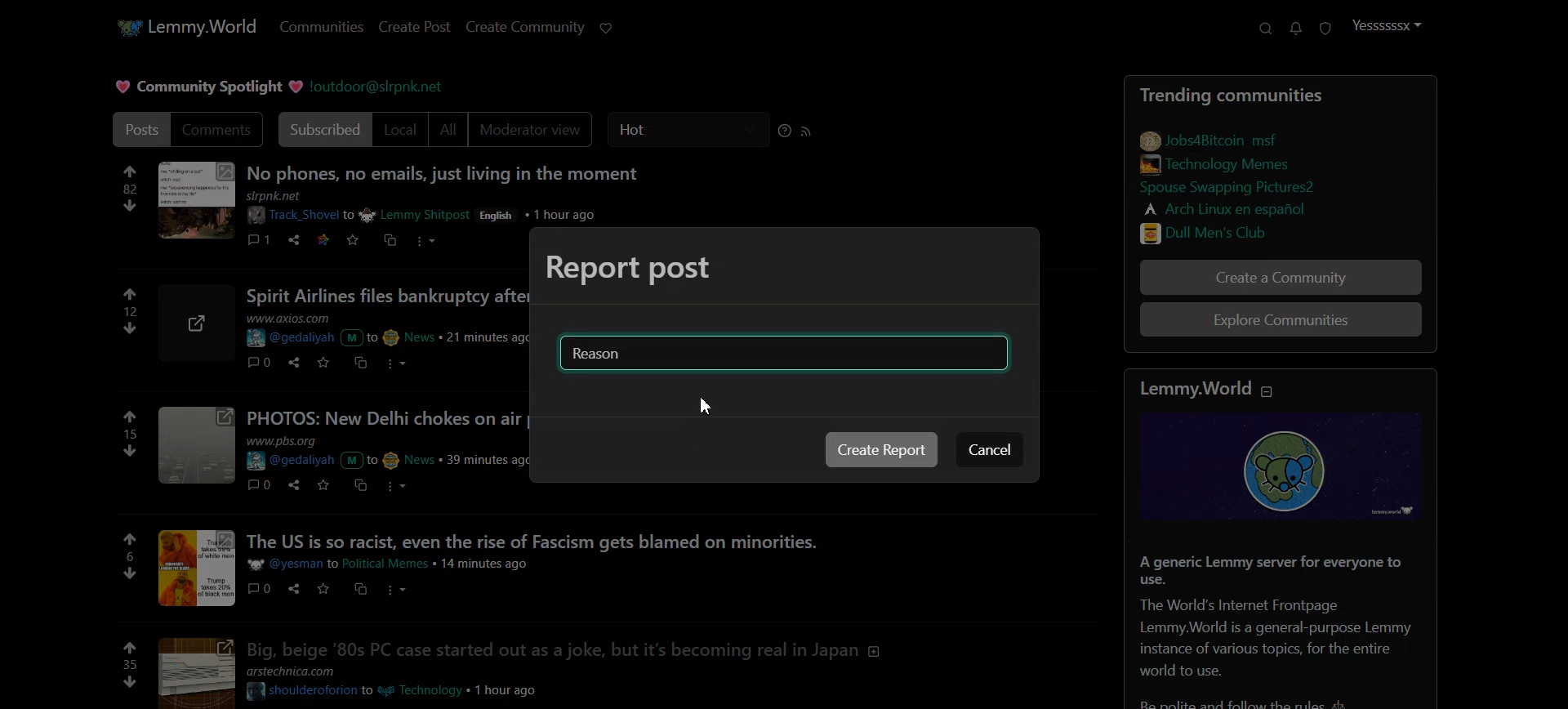 This screenshot has height=709, width=1568. I want to click on save, so click(321, 362).